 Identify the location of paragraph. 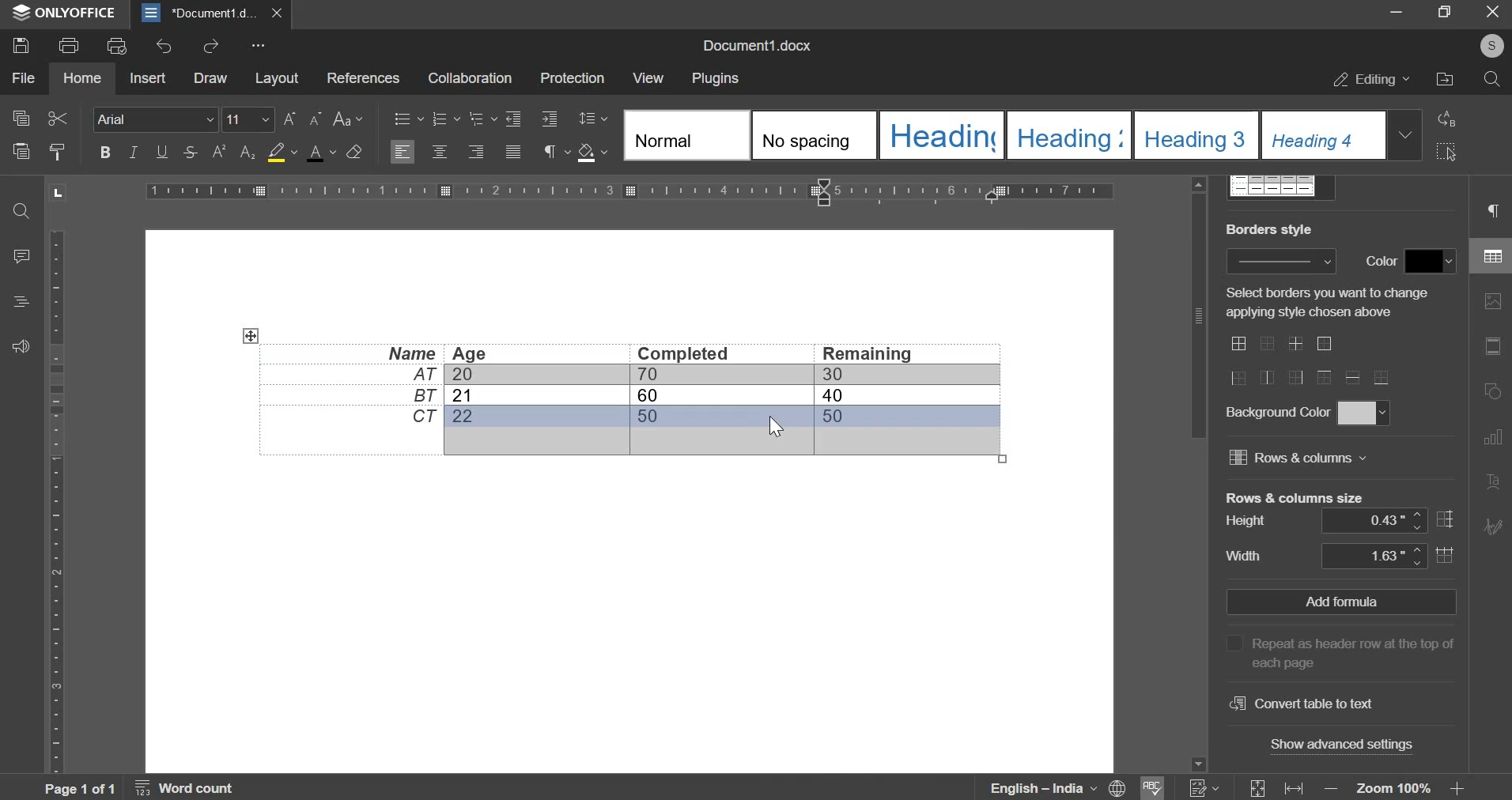
(550, 153).